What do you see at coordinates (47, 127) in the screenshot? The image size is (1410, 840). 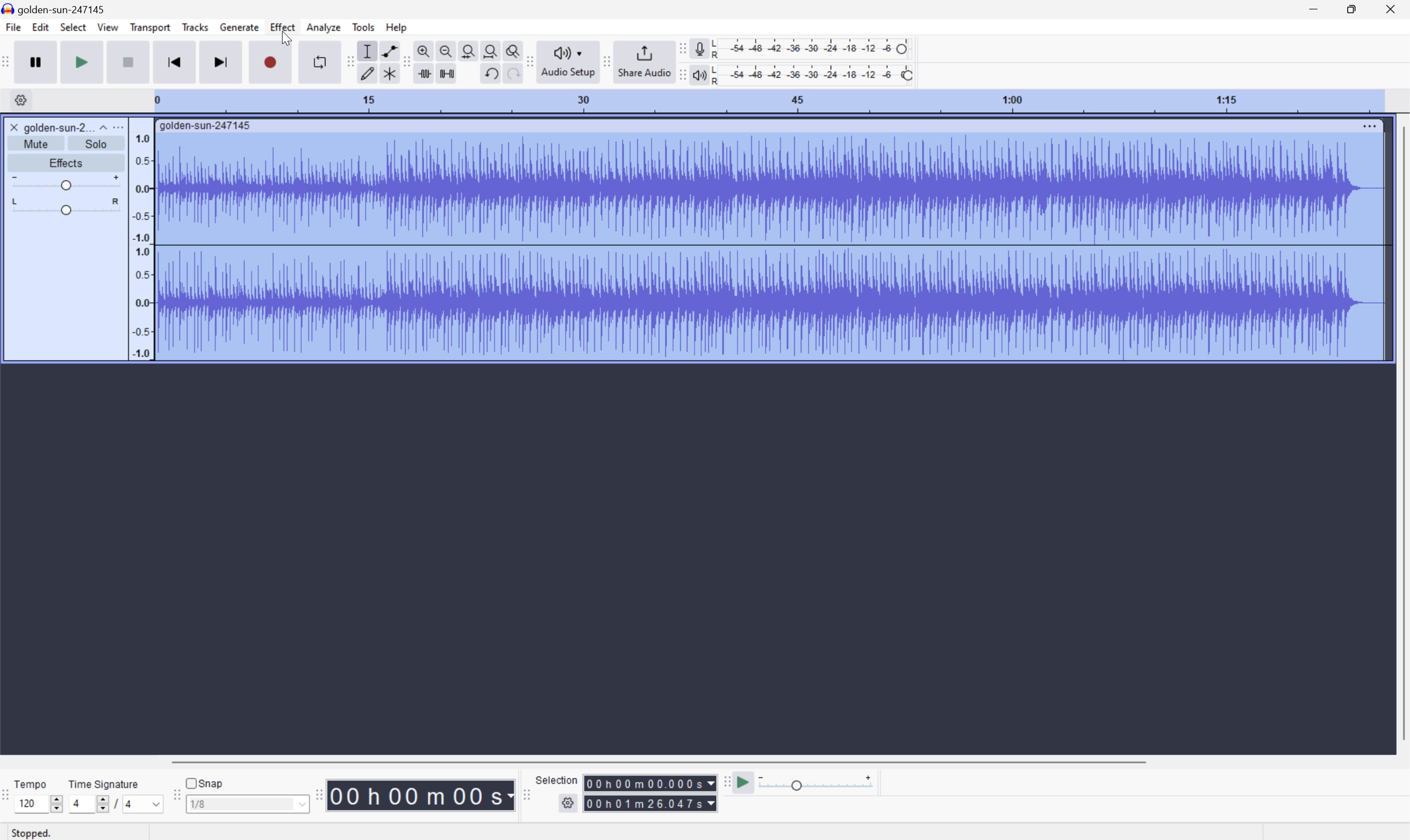 I see `golden-sun` at bounding box center [47, 127].